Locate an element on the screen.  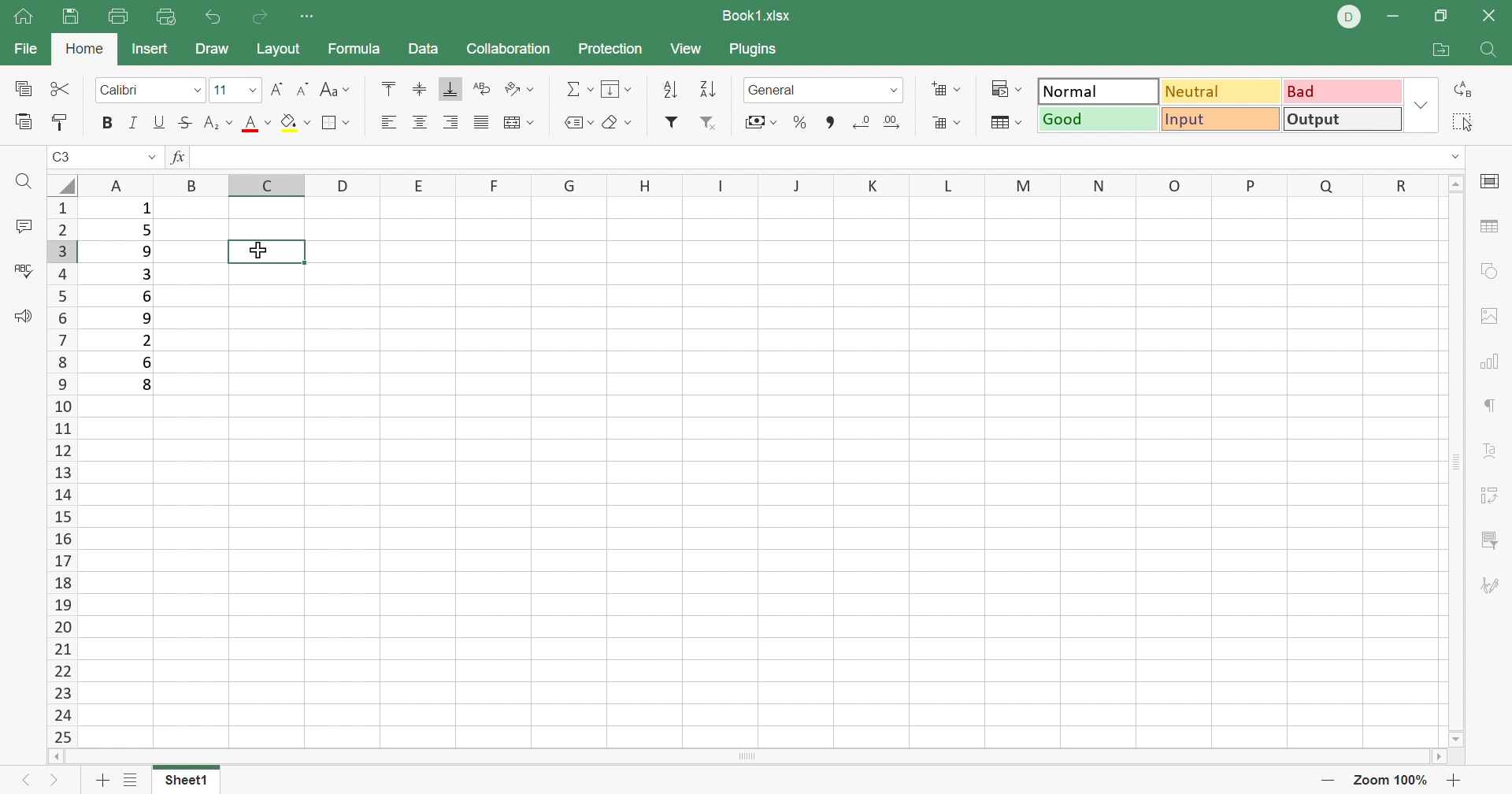
Comma style is located at coordinates (832, 122).